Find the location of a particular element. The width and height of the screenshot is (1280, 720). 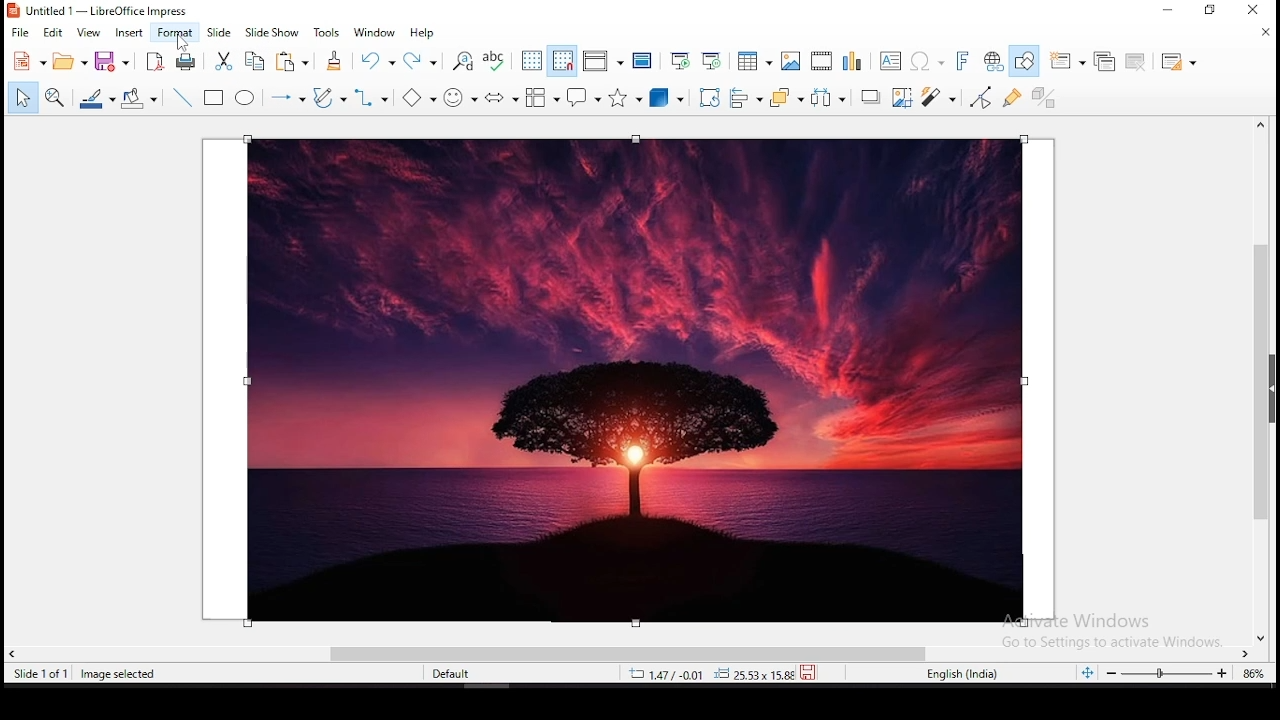

insert hyperlink is located at coordinates (996, 61).